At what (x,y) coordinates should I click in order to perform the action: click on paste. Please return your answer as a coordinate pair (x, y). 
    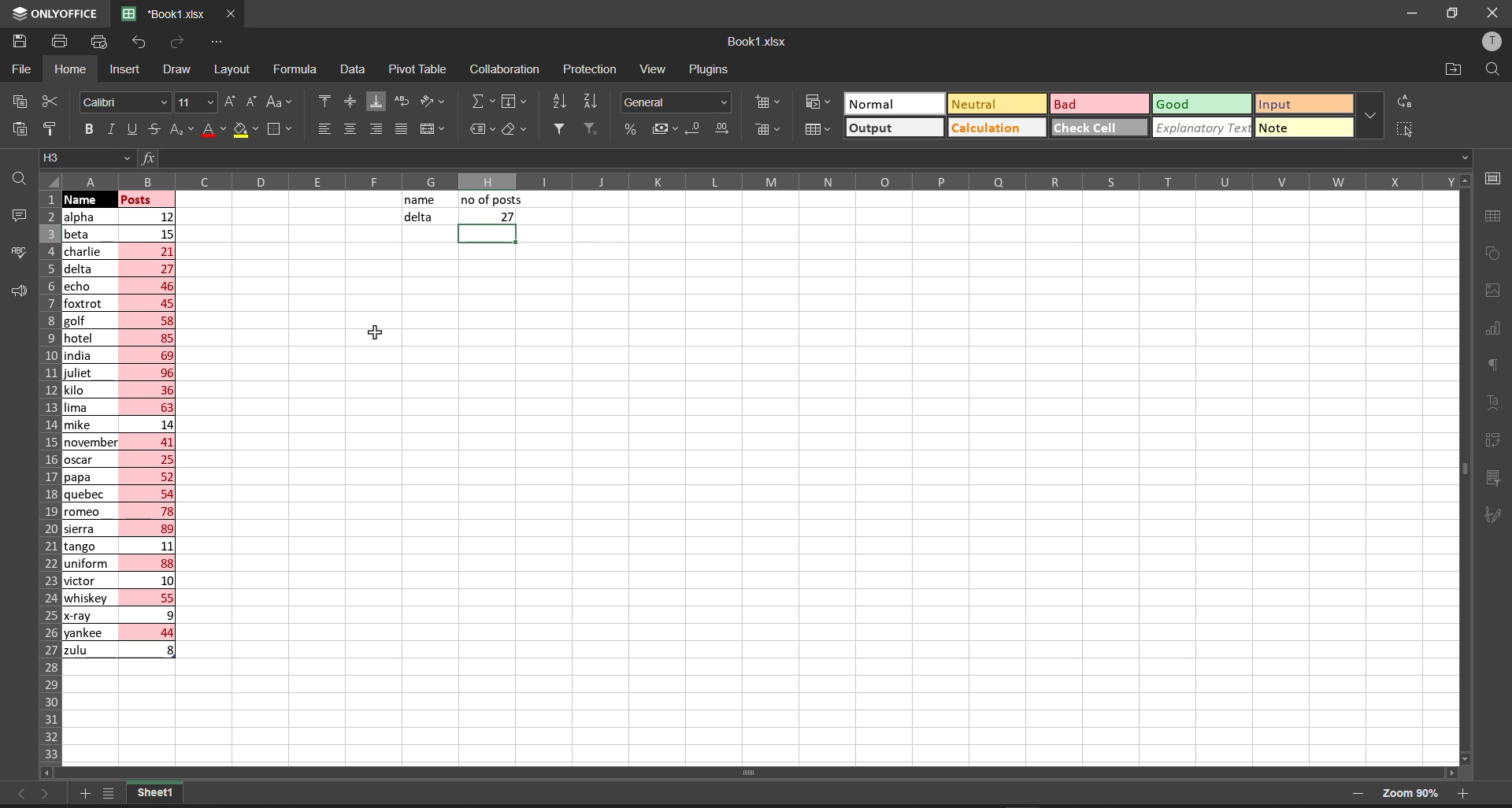
    Looking at the image, I should click on (16, 128).